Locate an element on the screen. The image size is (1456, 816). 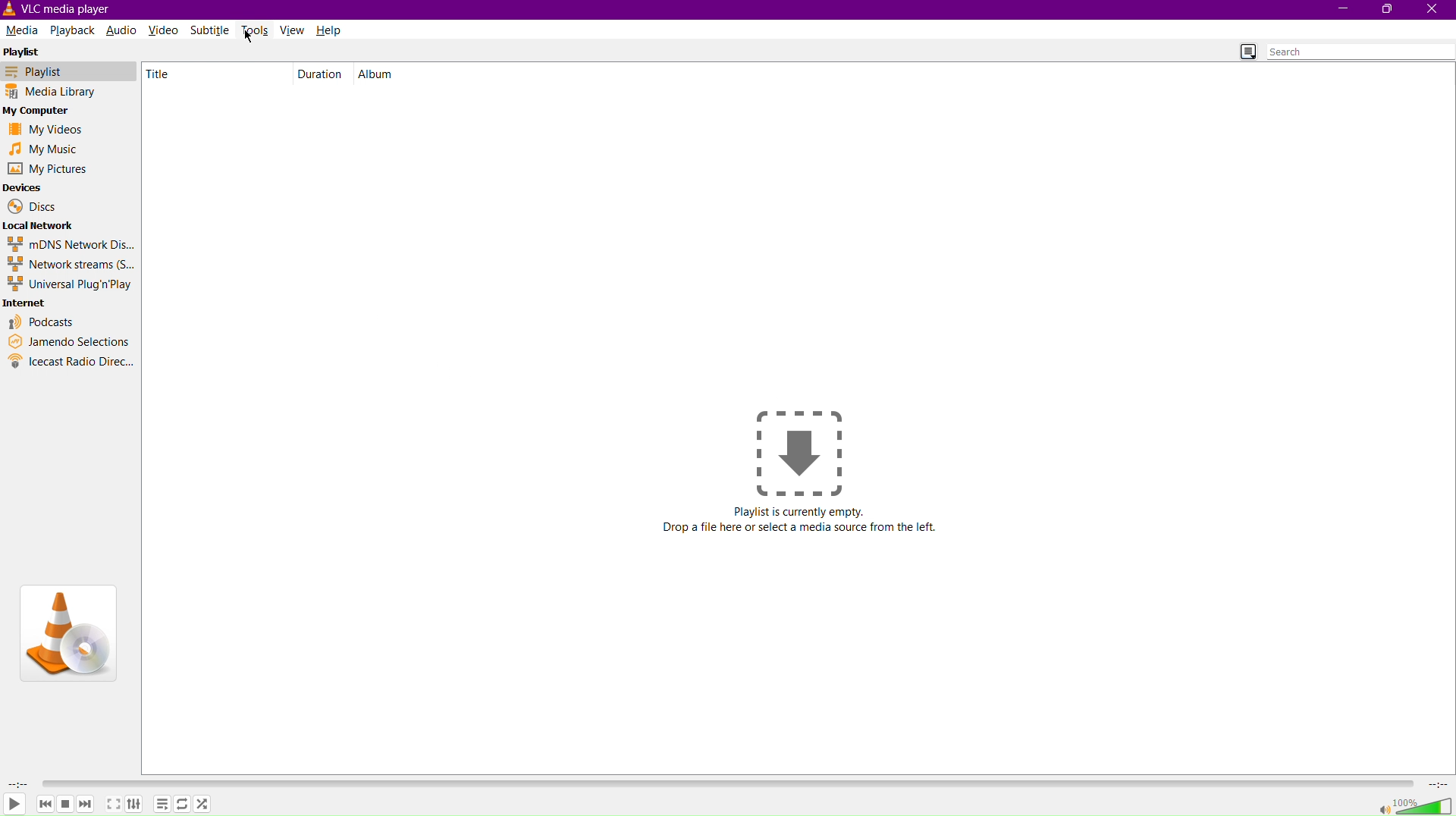
Duration is located at coordinates (14, 781).